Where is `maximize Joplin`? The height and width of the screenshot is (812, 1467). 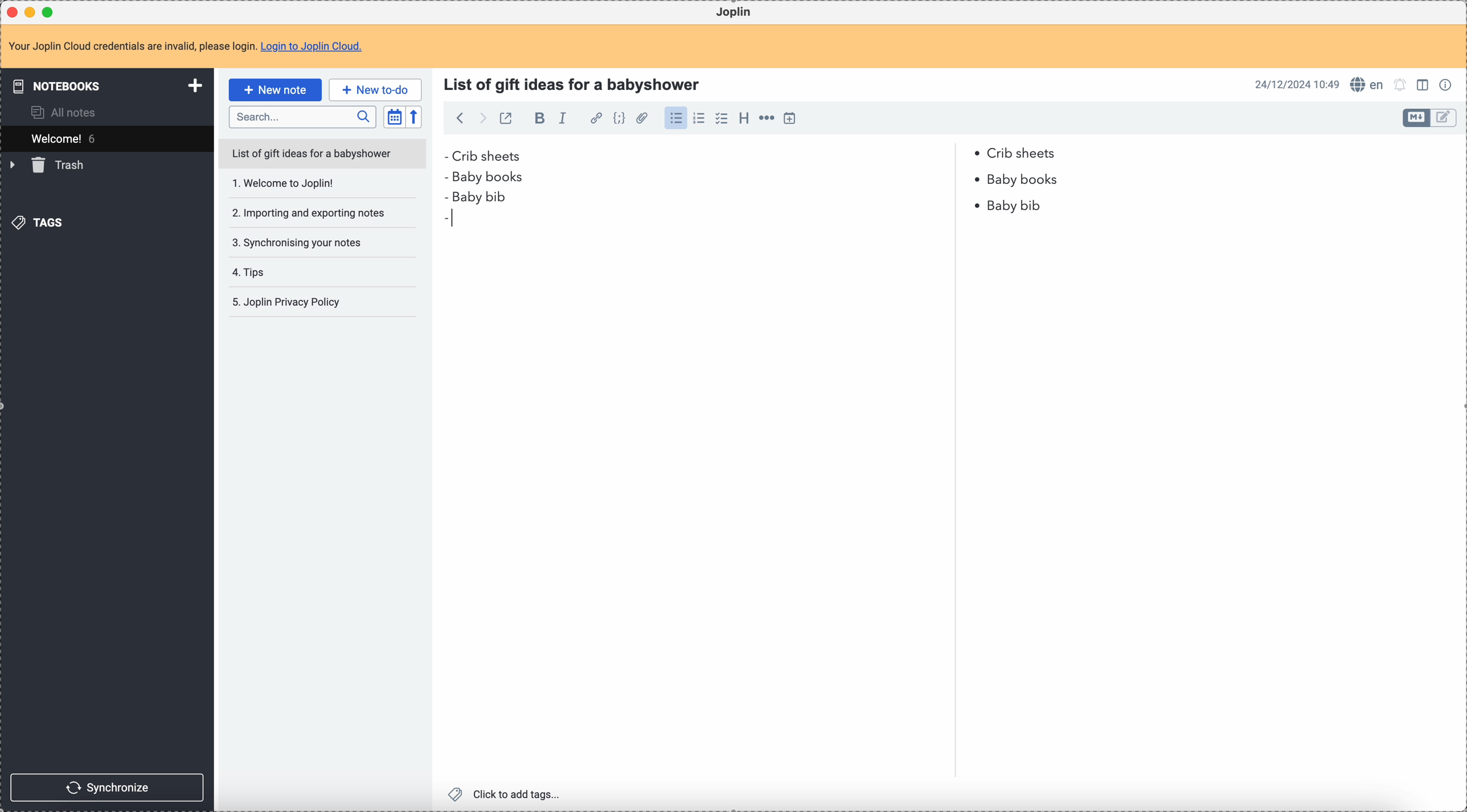
maximize Joplin is located at coordinates (51, 11).